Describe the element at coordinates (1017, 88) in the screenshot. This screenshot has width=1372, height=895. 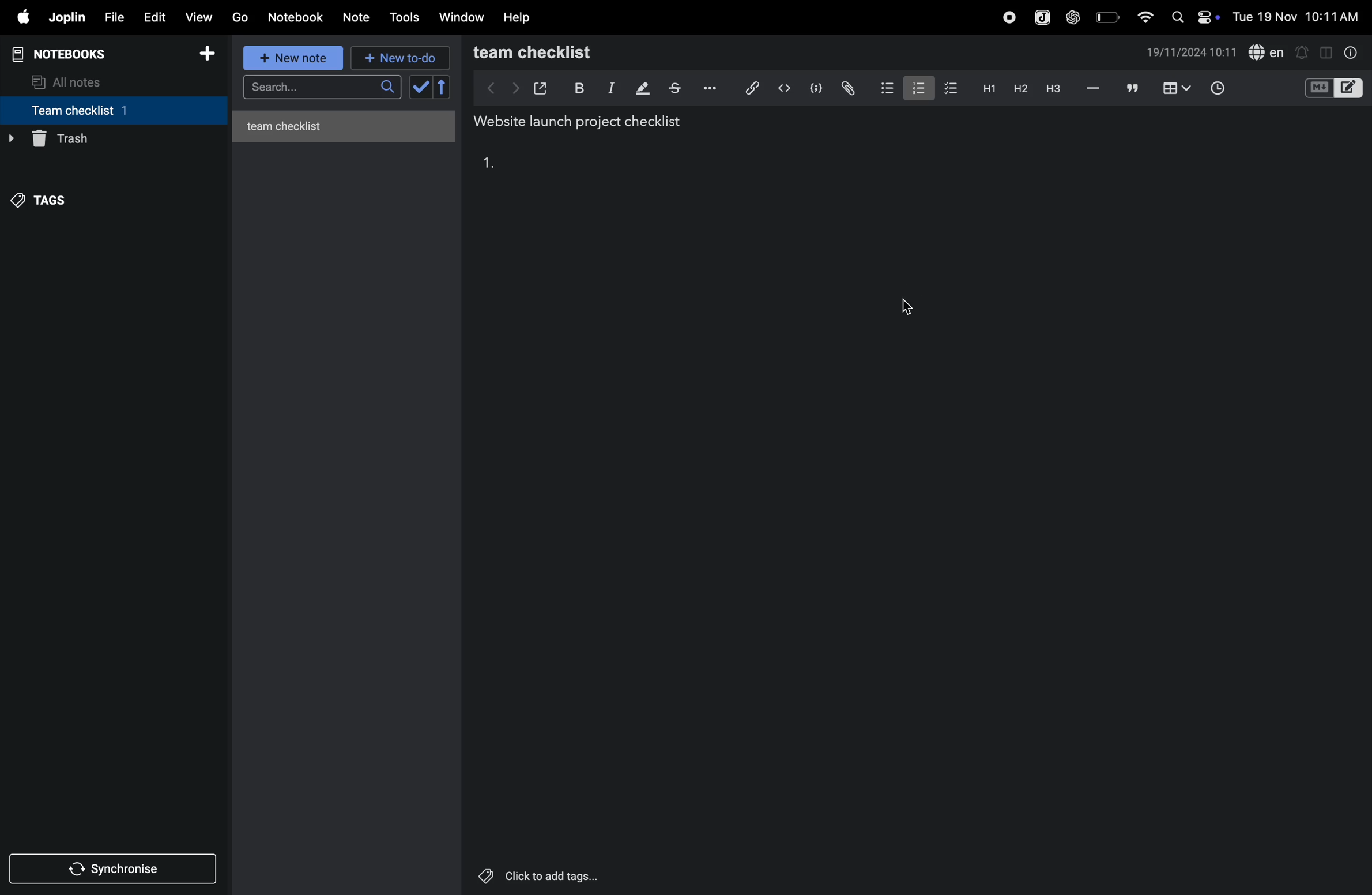
I see `heading 2` at that location.